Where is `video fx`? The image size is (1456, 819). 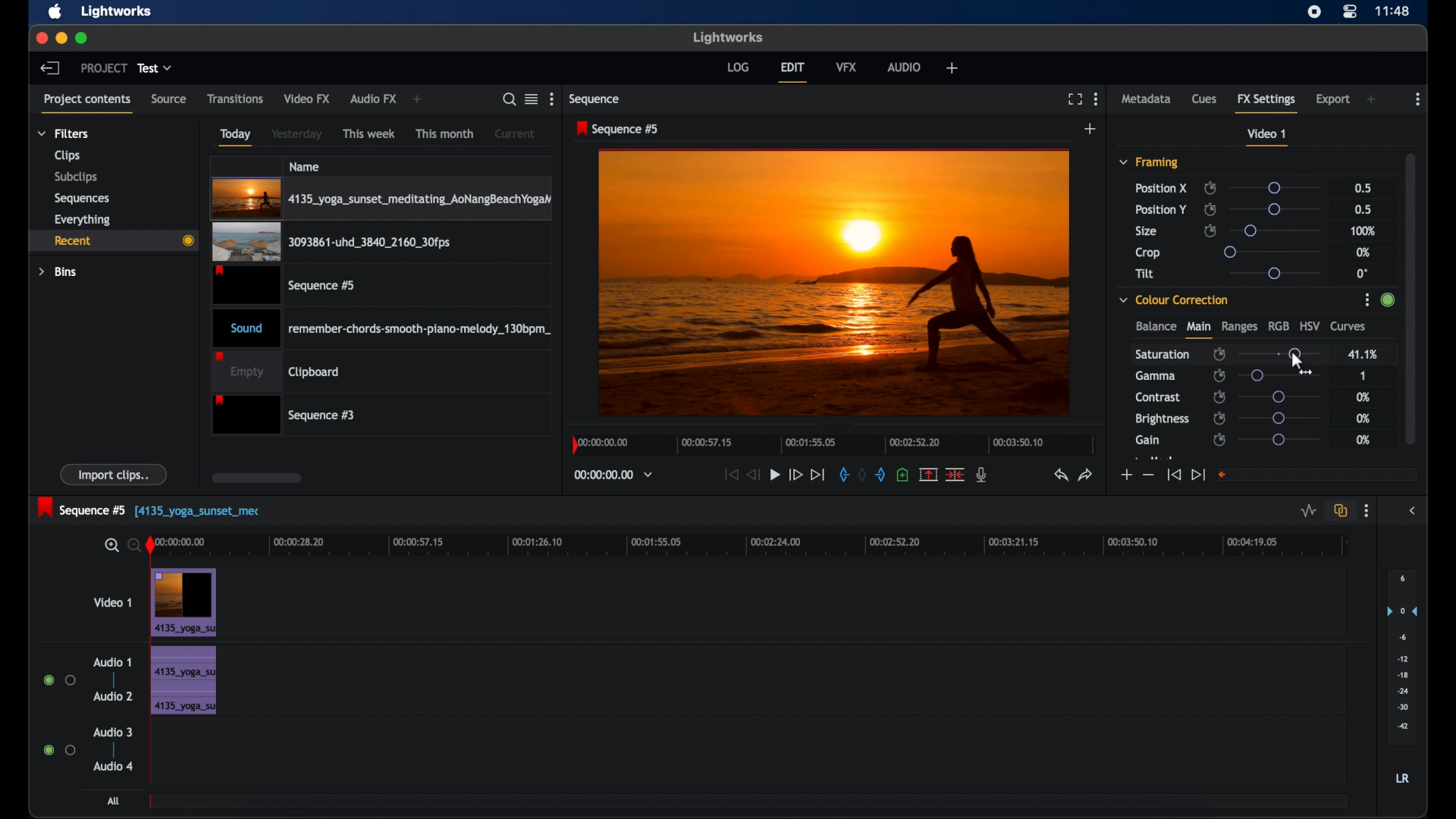
video fx is located at coordinates (308, 99).